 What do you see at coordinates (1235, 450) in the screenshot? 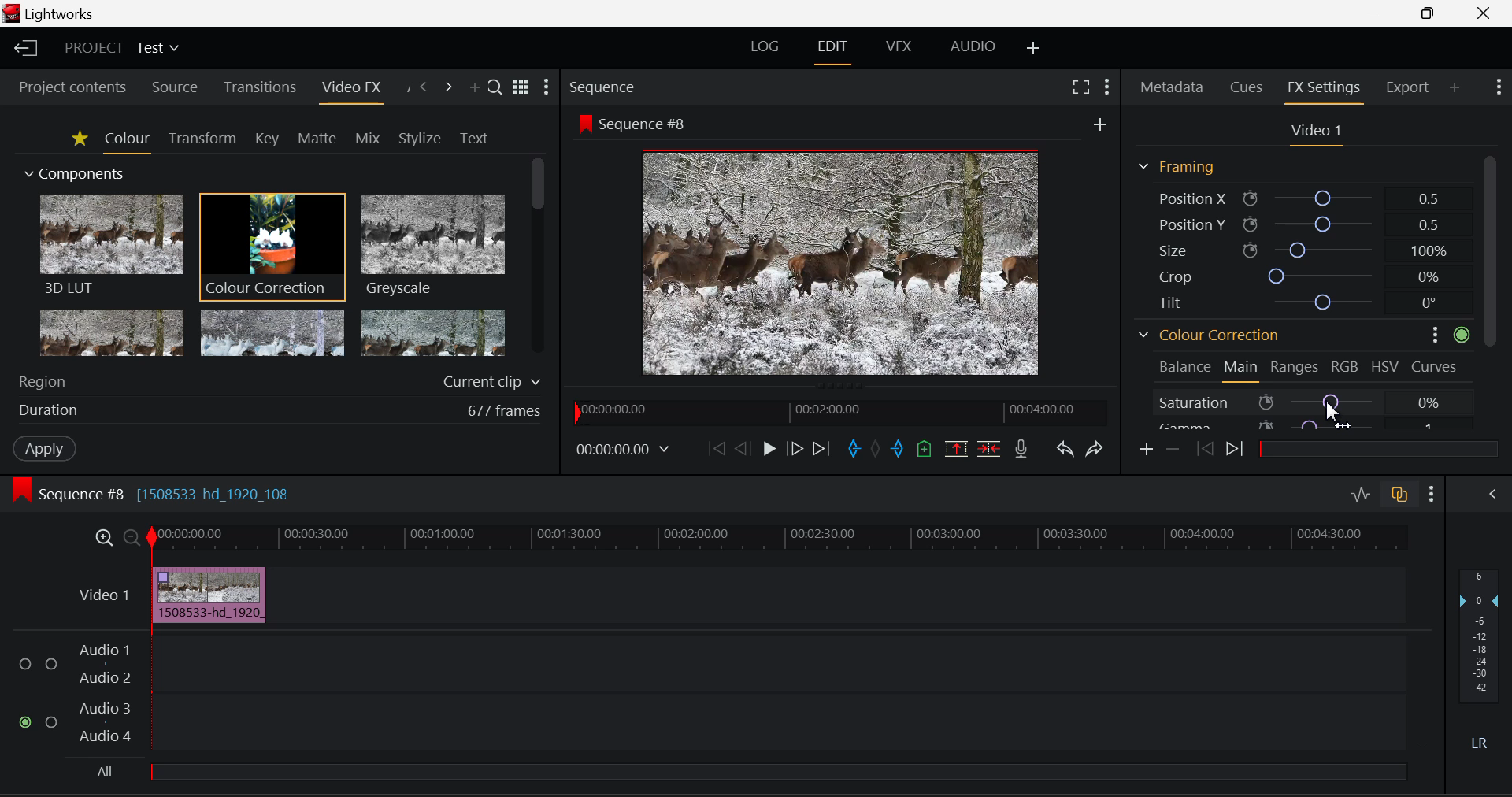
I see `Next keyframe` at bounding box center [1235, 450].